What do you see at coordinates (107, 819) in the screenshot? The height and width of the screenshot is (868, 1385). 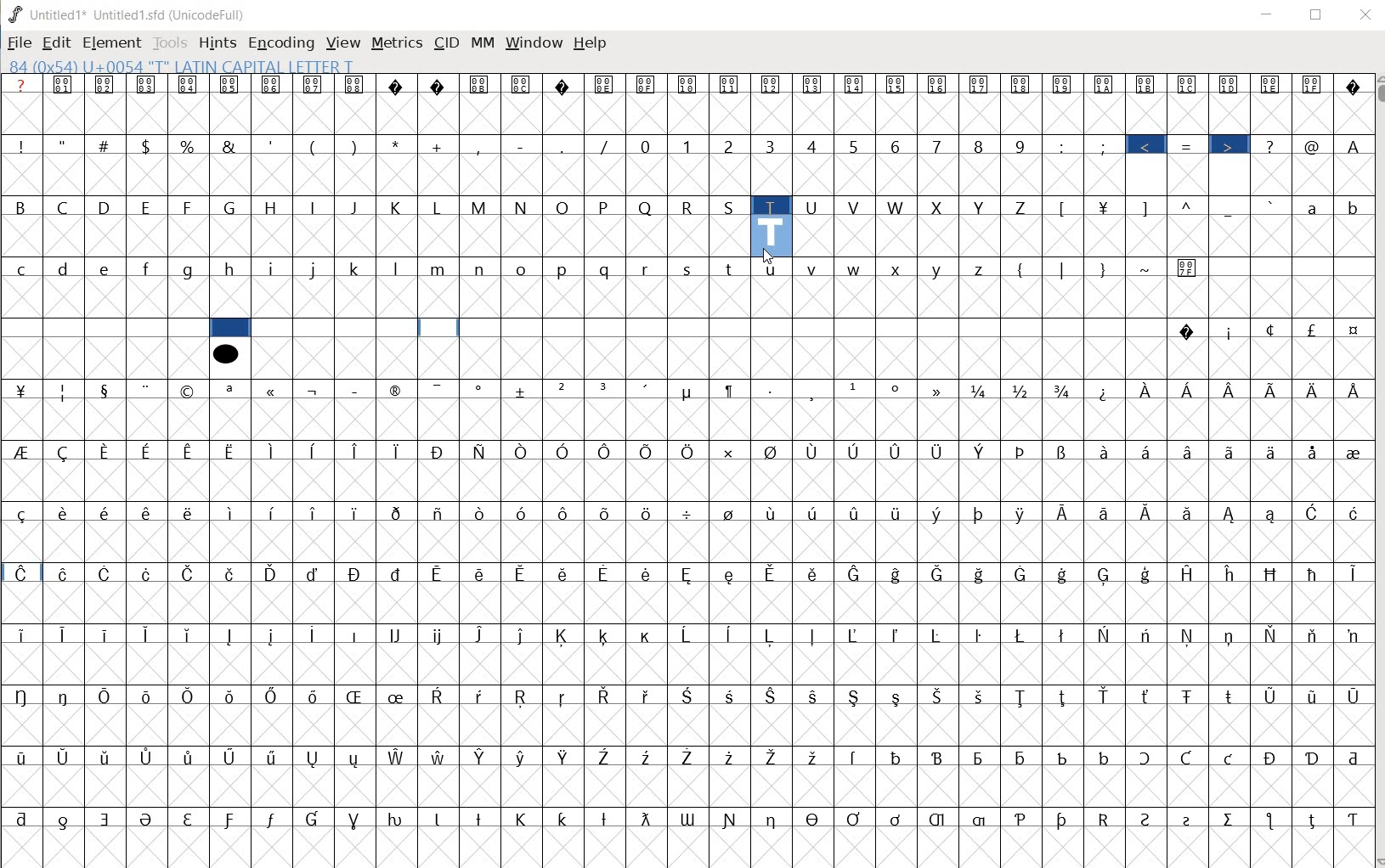 I see `Symbol` at bounding box center [107, 819].